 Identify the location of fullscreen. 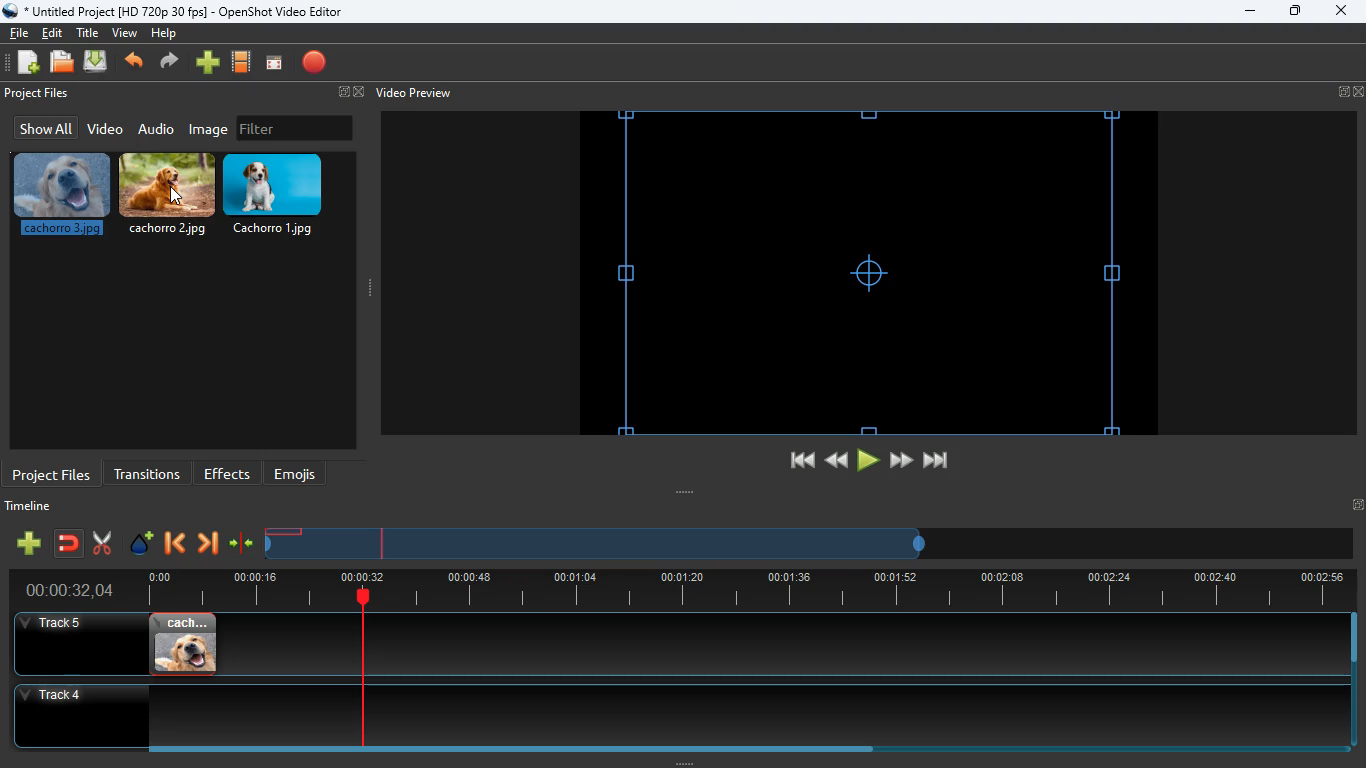
(1351, 92).